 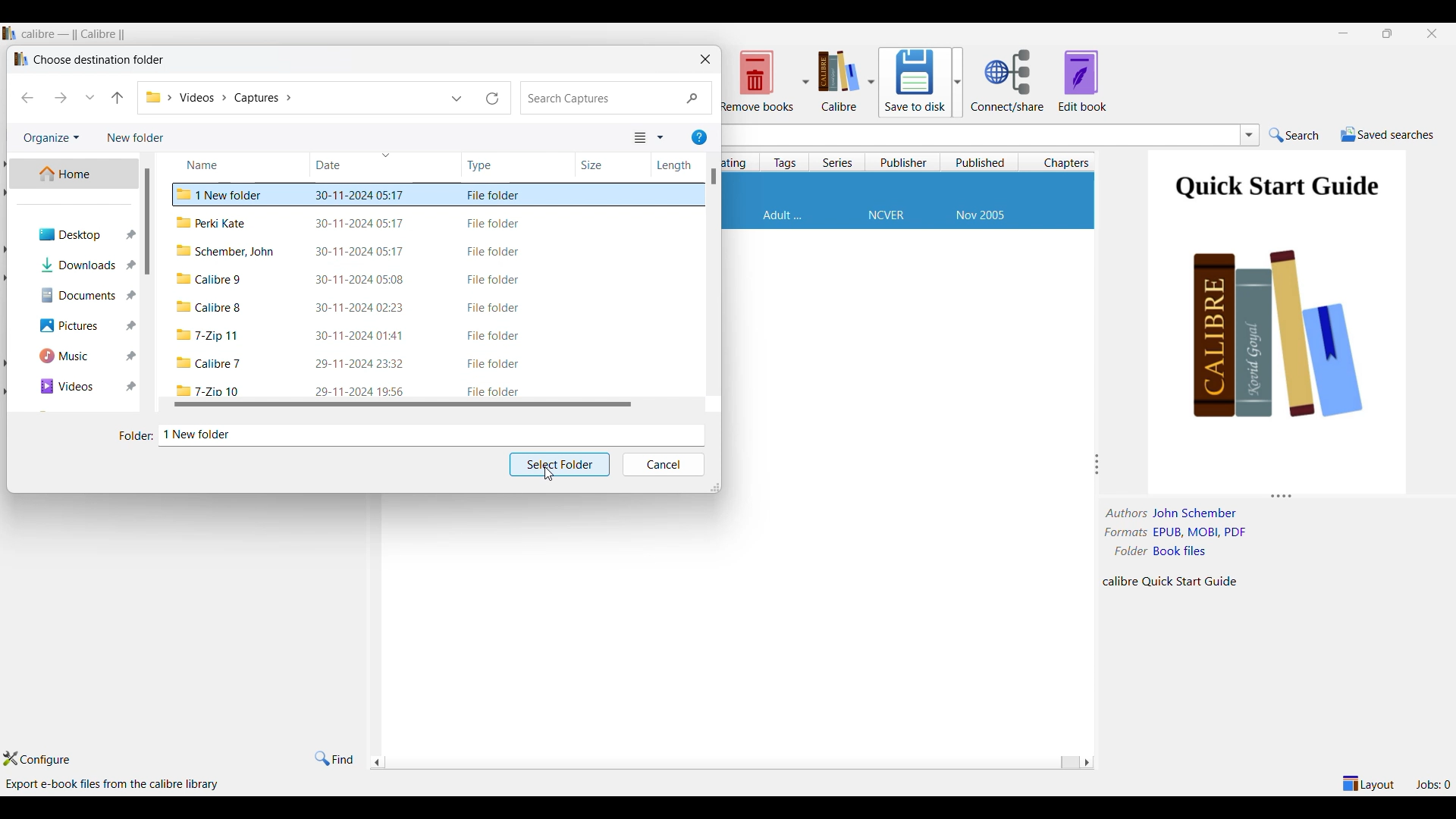 What do you see at coordinates (361, 364) in the screenshot?
I see `date` at bounding box center [361, 364].